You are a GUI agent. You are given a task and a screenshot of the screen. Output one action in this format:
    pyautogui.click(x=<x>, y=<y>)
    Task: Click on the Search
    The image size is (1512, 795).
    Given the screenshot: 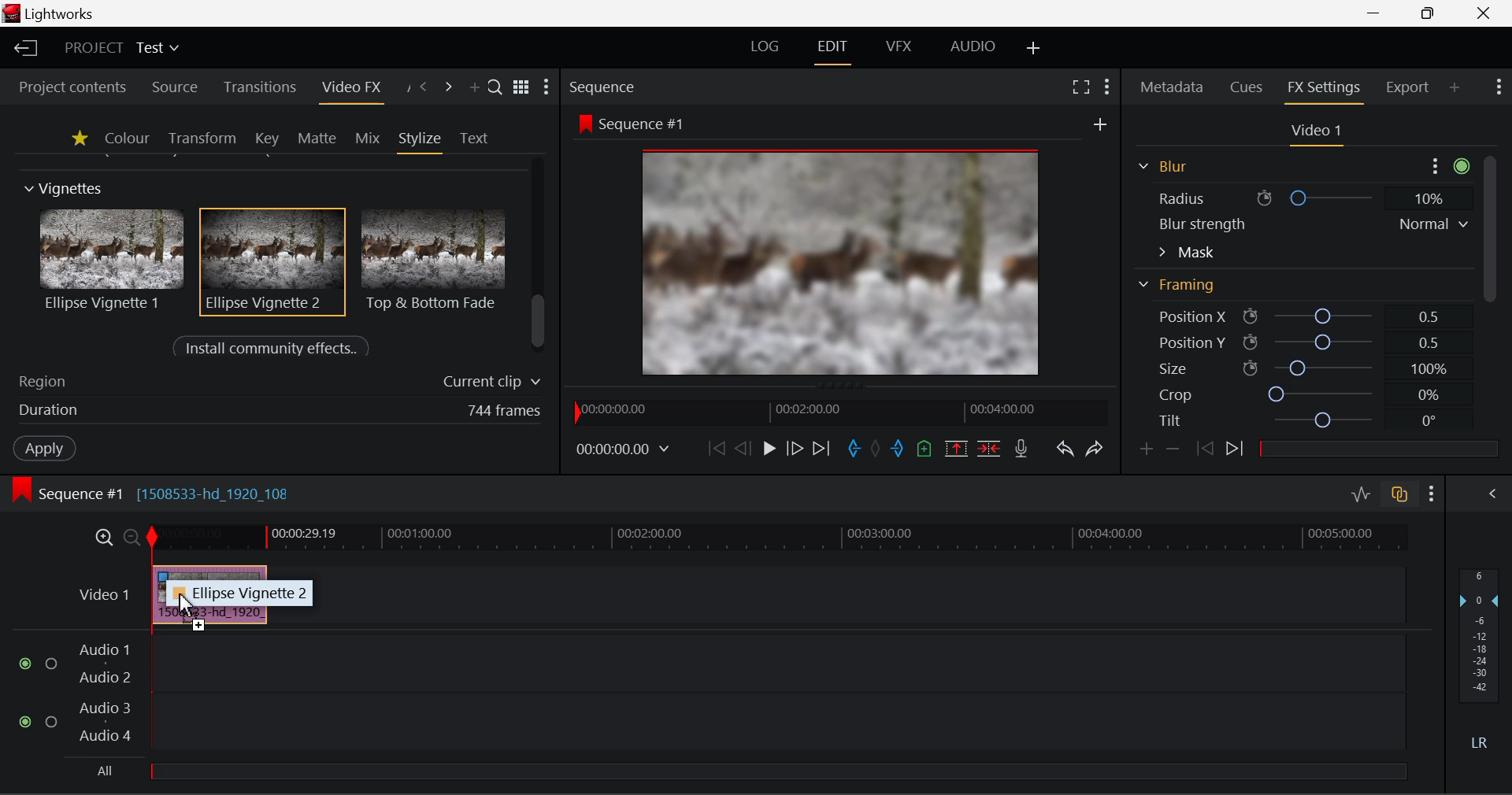 What is the action you would take?
    pyautogui.click(x=496, y=89)
    